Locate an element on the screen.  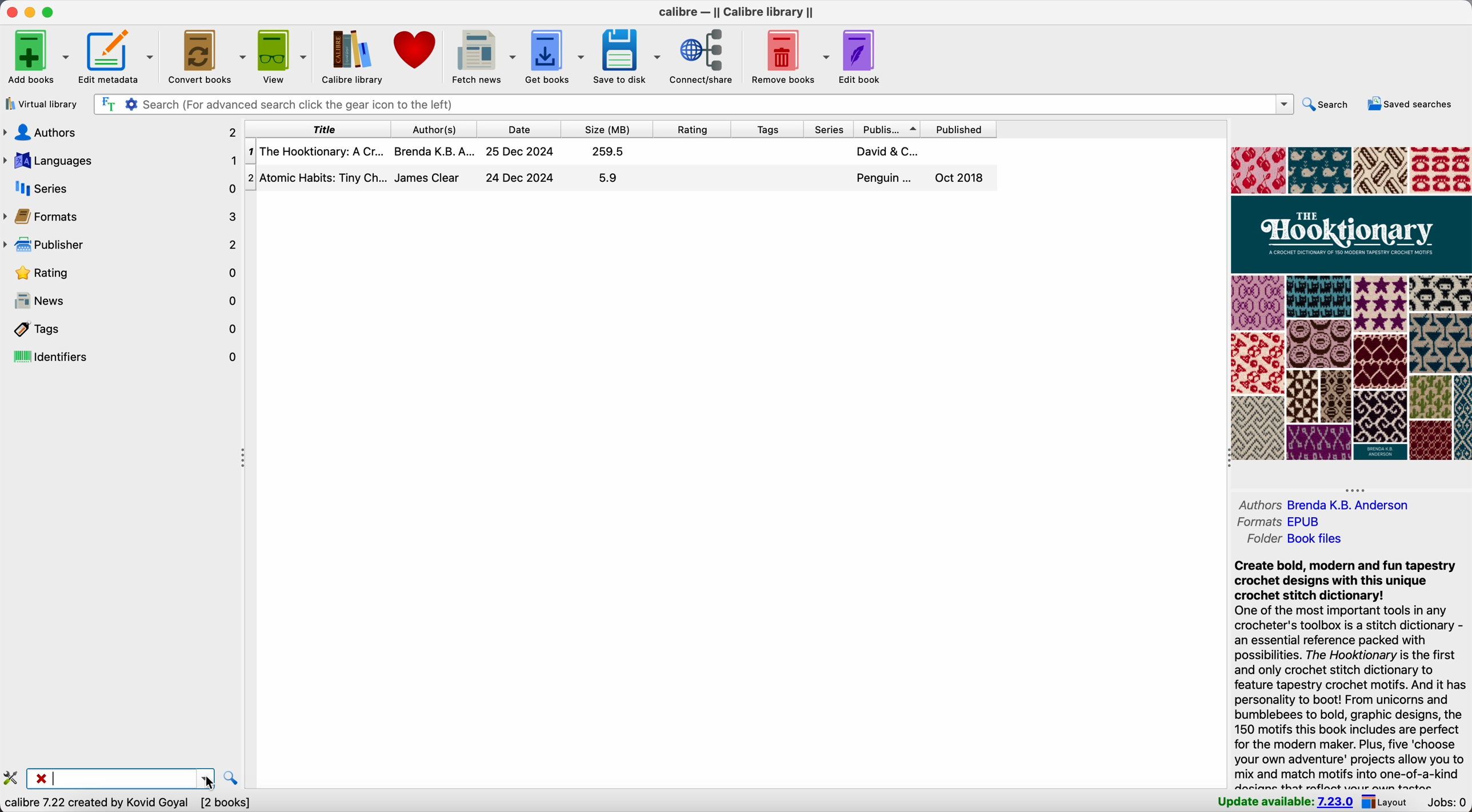
search bar is located at coordinates (133, 779).